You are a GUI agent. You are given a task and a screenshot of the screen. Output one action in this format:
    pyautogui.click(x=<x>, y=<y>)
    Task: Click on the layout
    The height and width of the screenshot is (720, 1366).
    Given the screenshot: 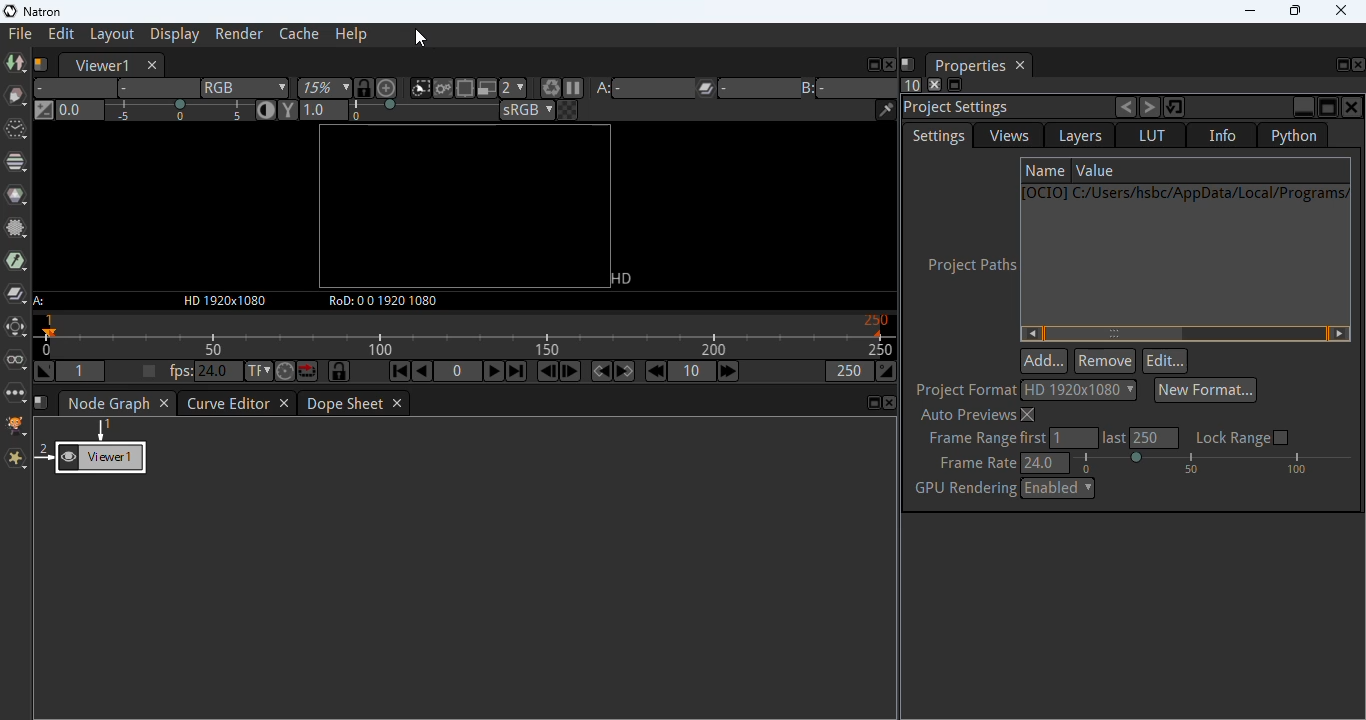 What is the action you would take?
    pyautogui.click(x=112, y=35)
    